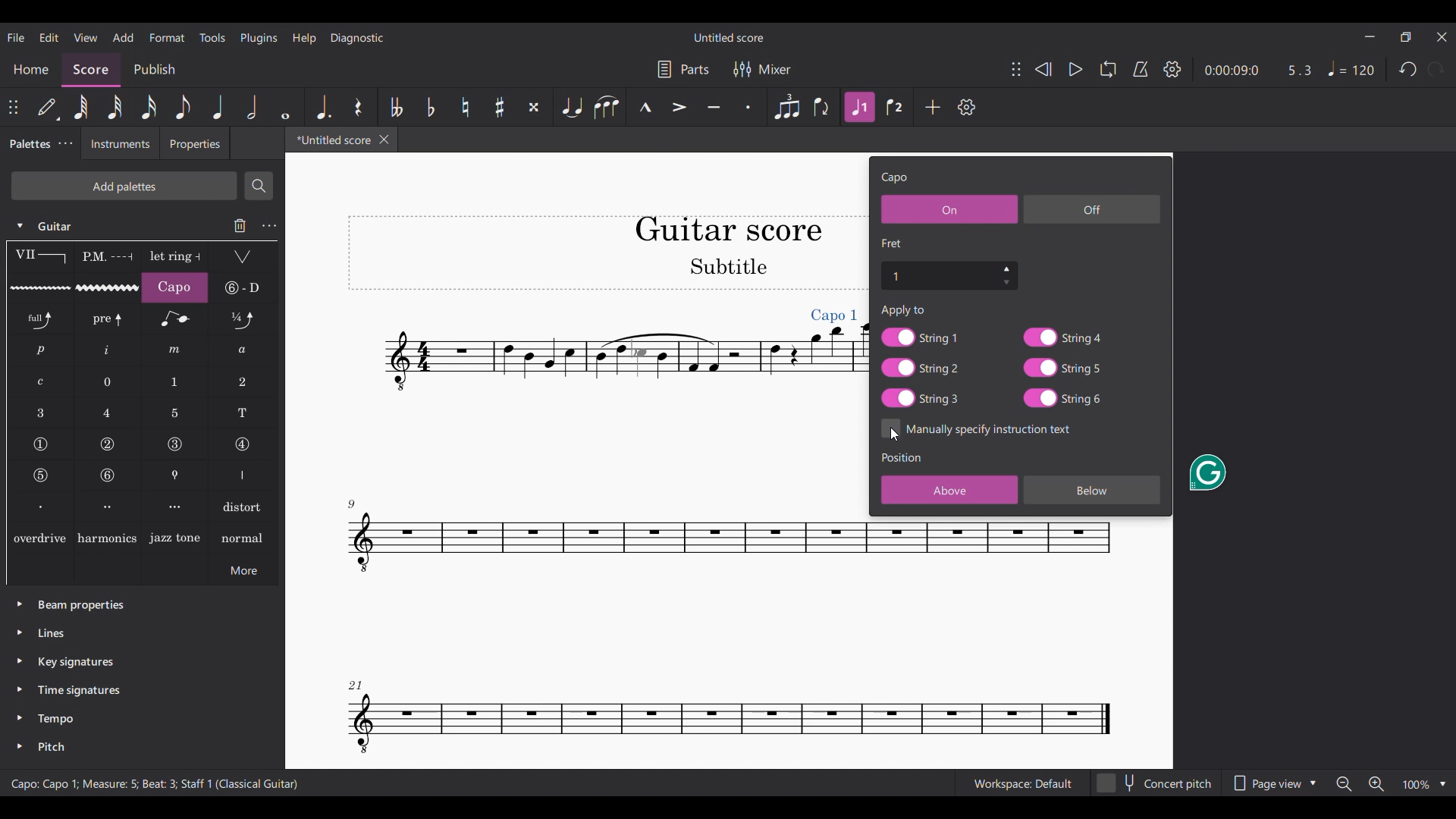 The image size is (1456, 819). I want to click on Delete, so click(240, 225).